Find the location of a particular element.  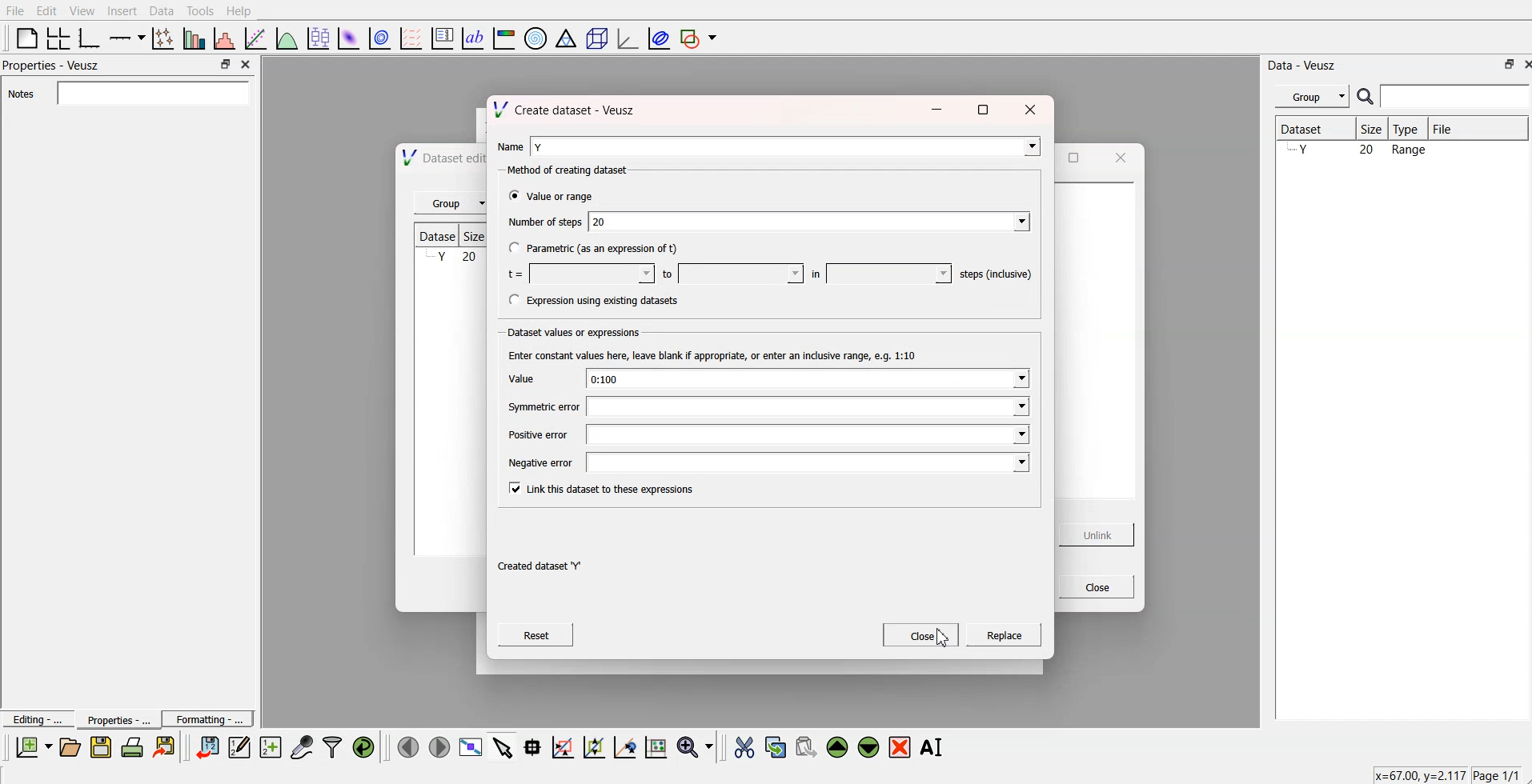

field is located at coordinates (809, 434).